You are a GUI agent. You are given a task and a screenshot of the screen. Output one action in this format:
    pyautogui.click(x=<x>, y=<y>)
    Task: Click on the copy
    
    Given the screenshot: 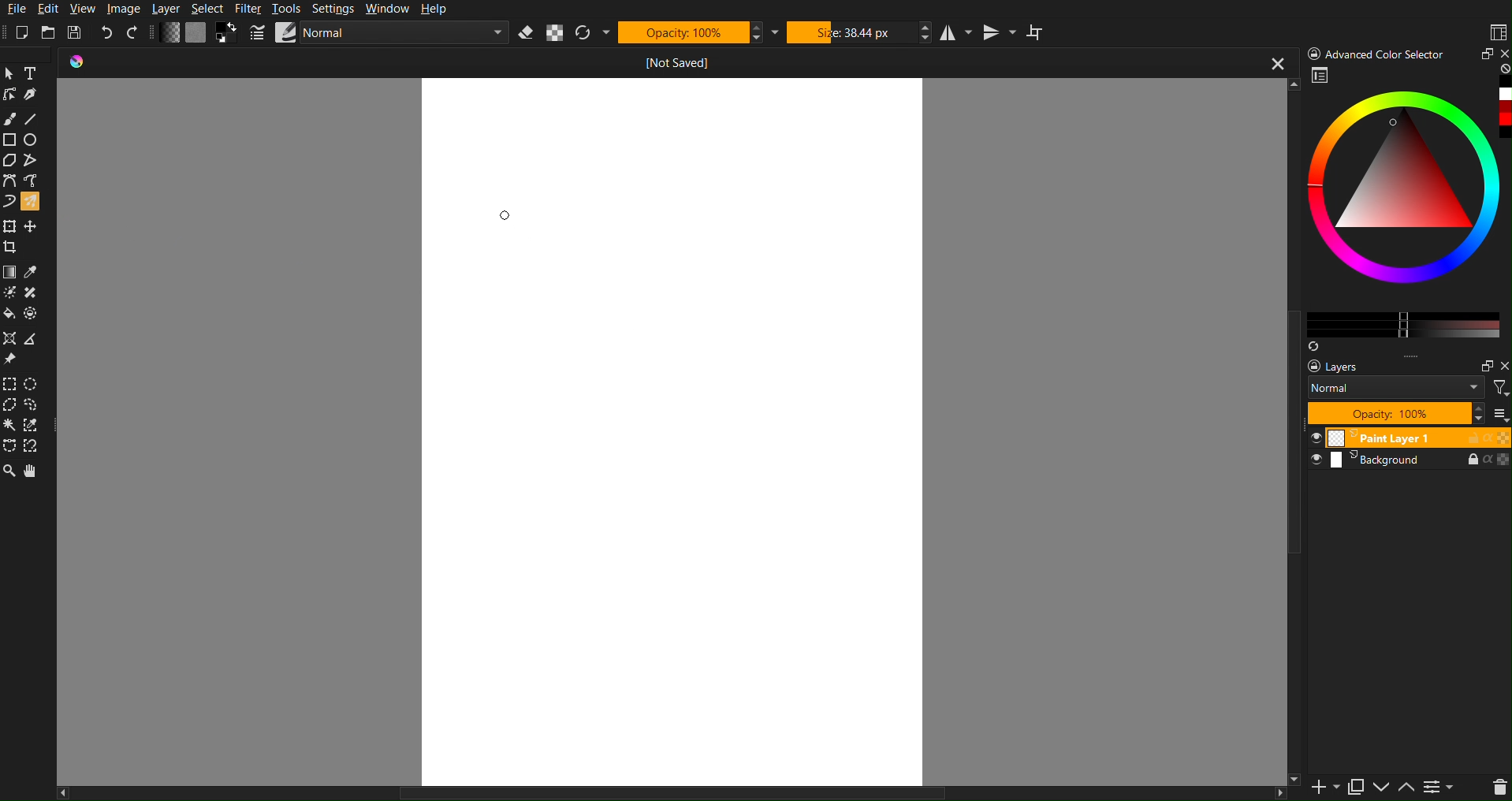 What is the action you would take?
    pyautogui.click(x=1355, y=787)
    